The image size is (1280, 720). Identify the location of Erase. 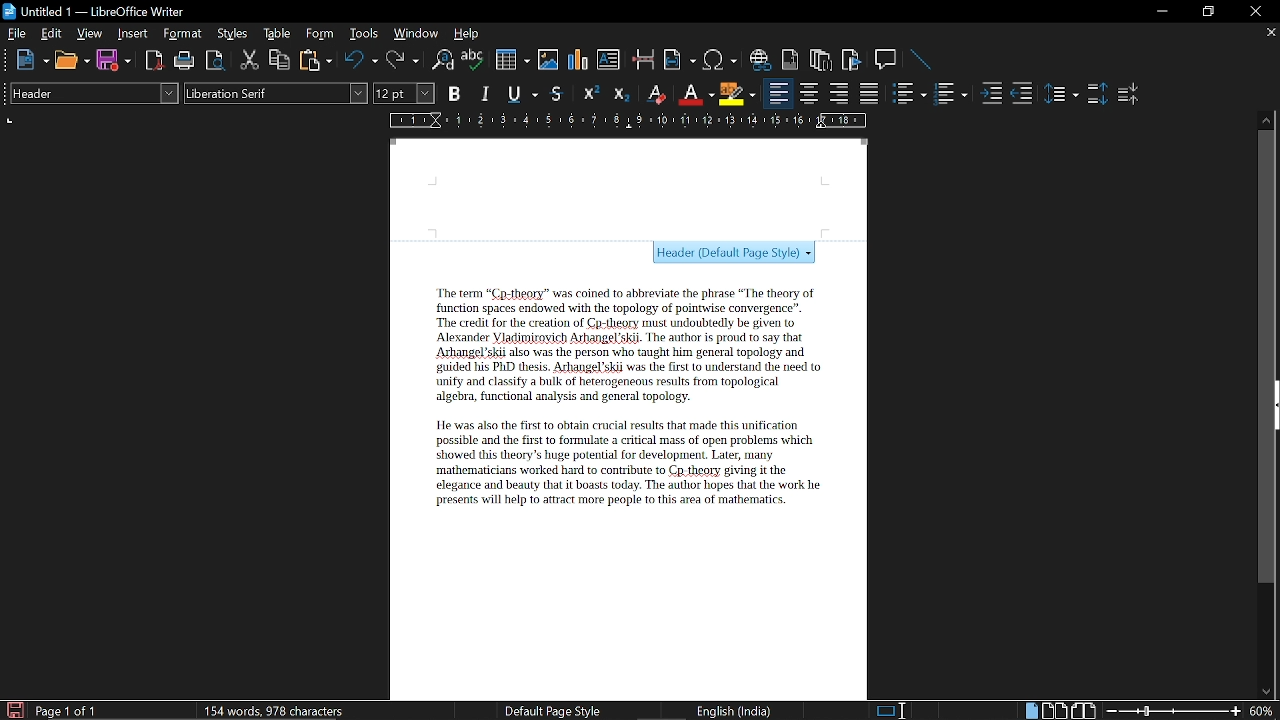
(655, 94).